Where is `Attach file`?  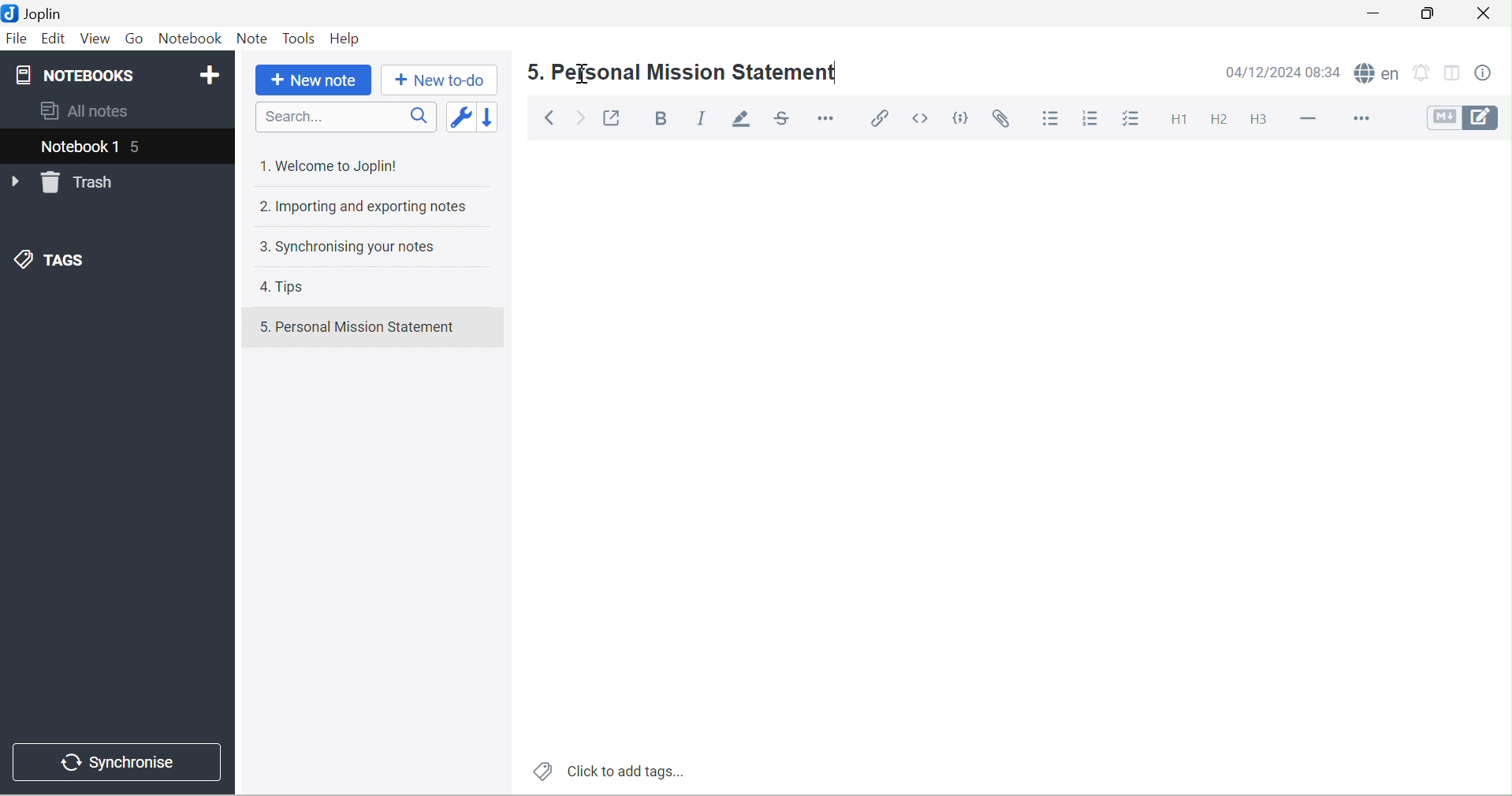 Attach file is located at coordinates (1005, 120).